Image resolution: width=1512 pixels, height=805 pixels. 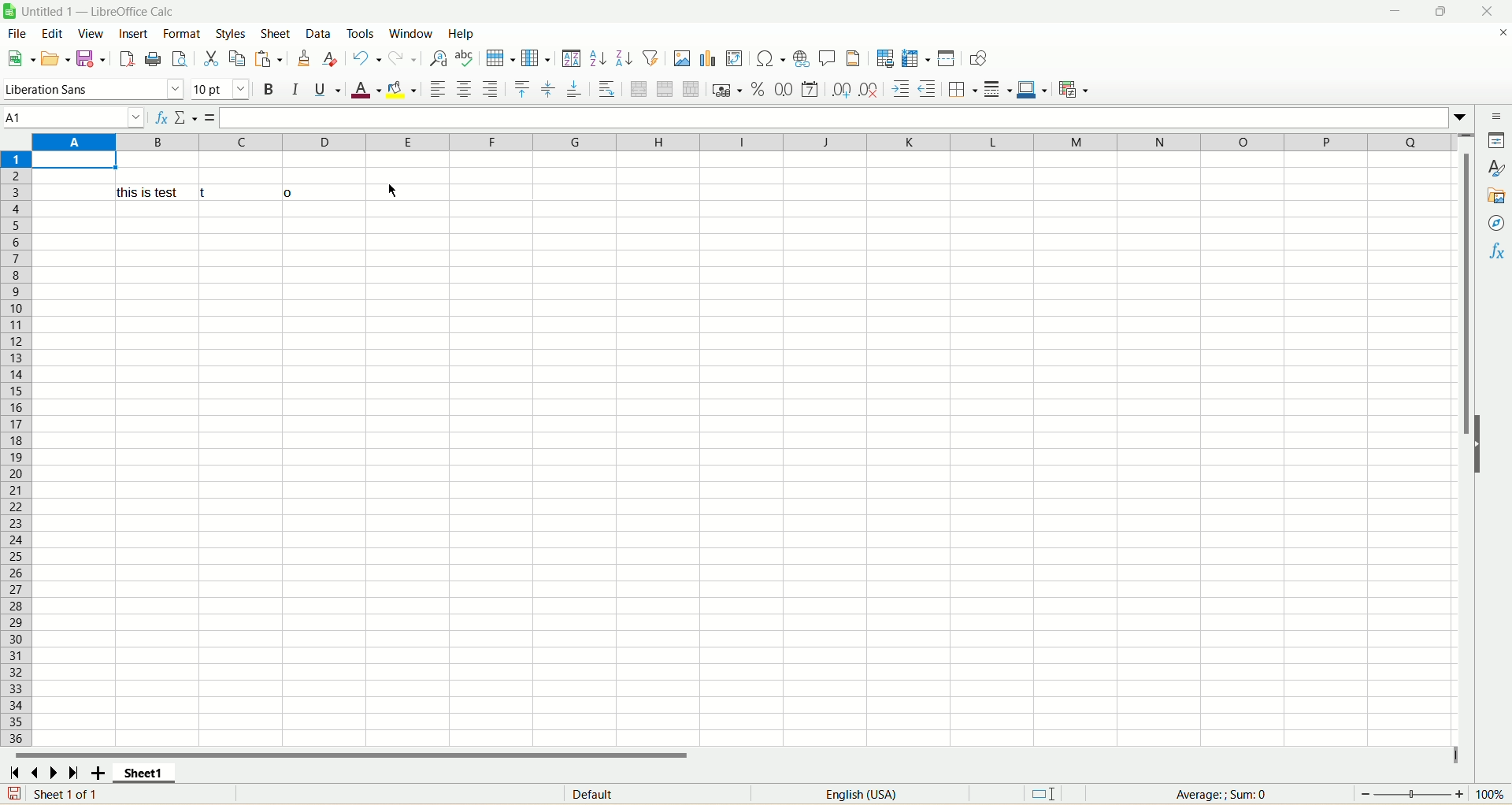 What do you see at coordinates (548, 88) in the screenshot?
I see `align center` at bounding box center [548, 88].